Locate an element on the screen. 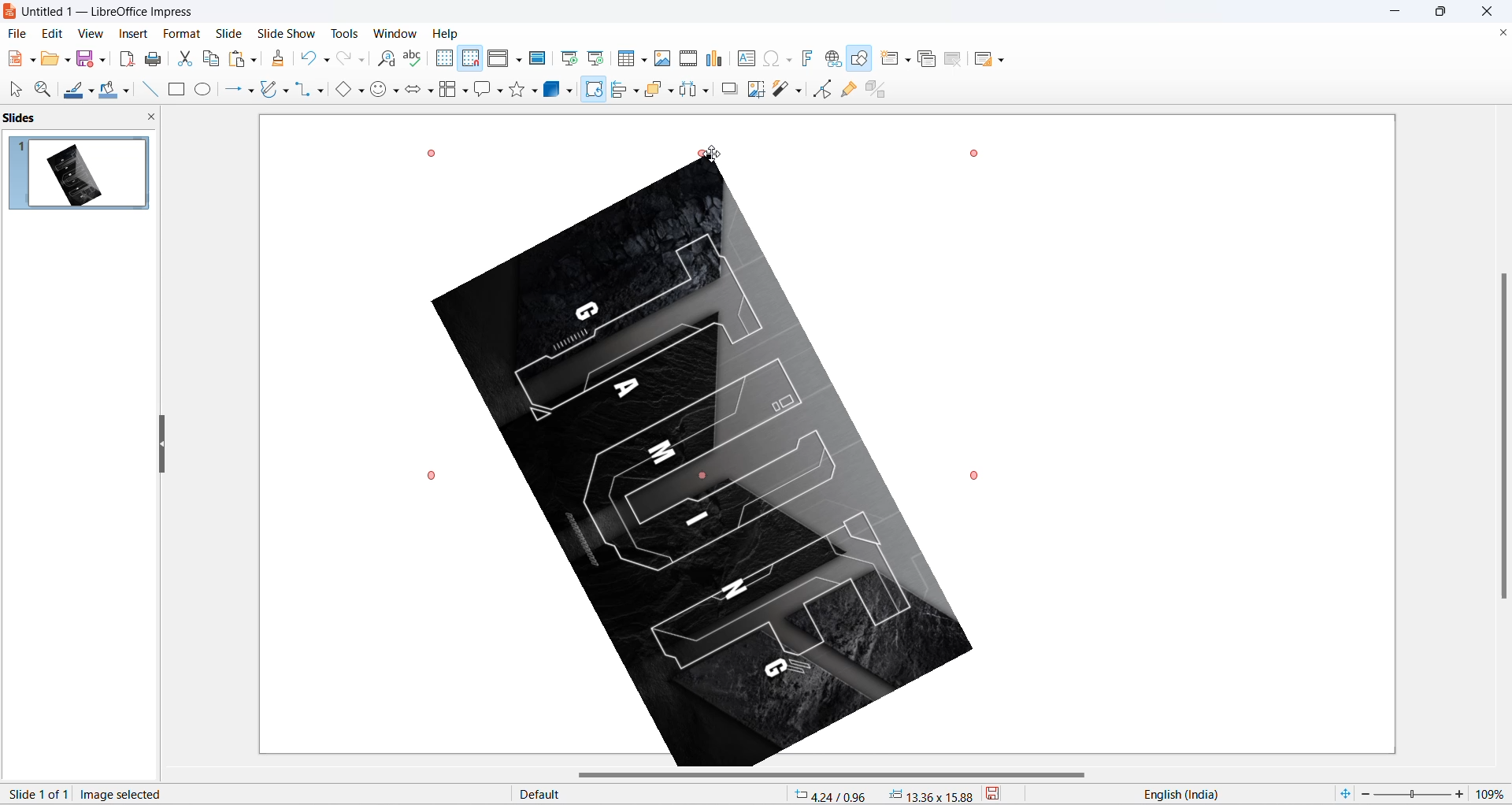 This screenshot has width=1512, height=805. show gluepoint functions is located at coordinates (852, 89).